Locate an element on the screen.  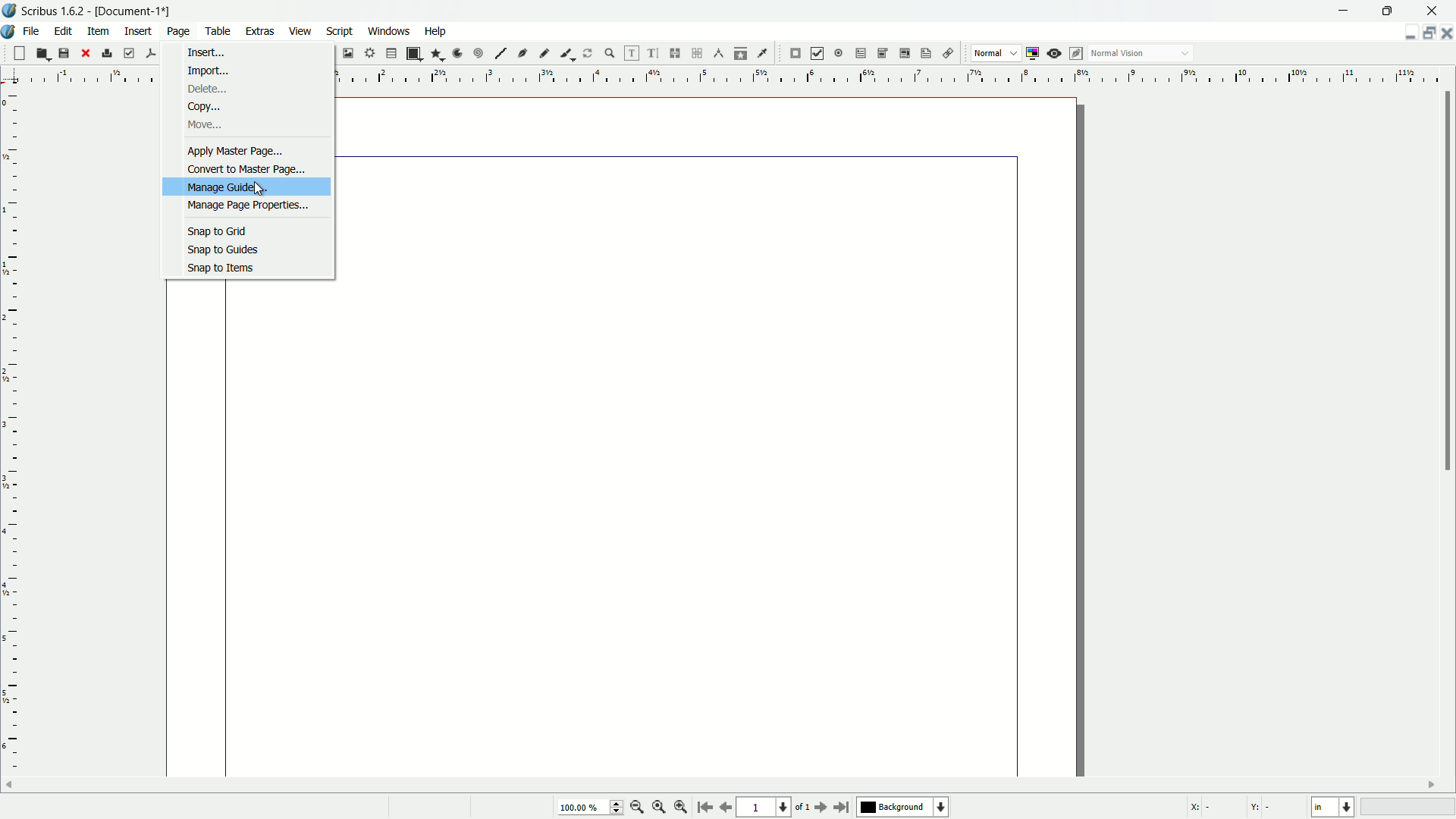
measuring scale is located at coordinates (893, 77).